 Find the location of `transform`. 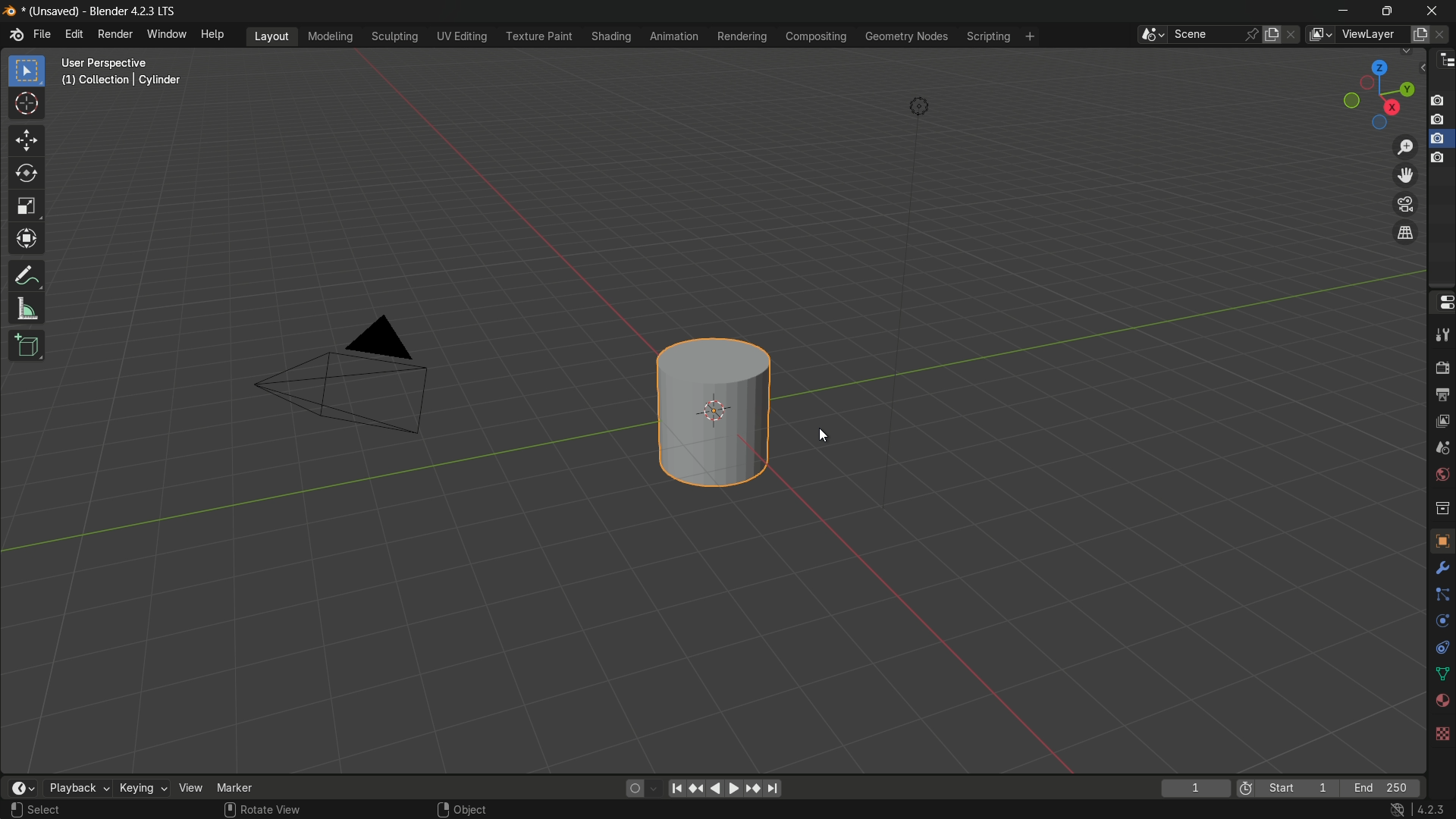

transform is located at coordinates (27, 242).